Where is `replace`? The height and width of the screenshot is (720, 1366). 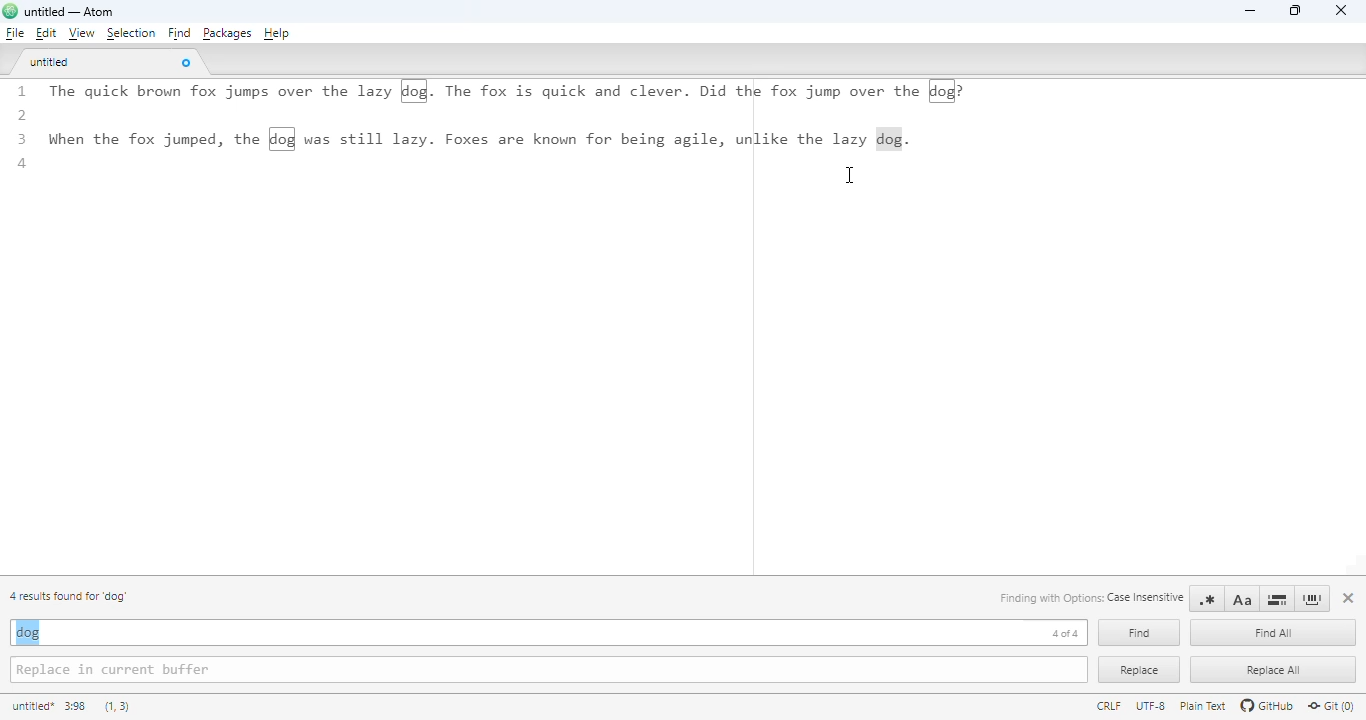 replace is located at coordinates (1139, 670).